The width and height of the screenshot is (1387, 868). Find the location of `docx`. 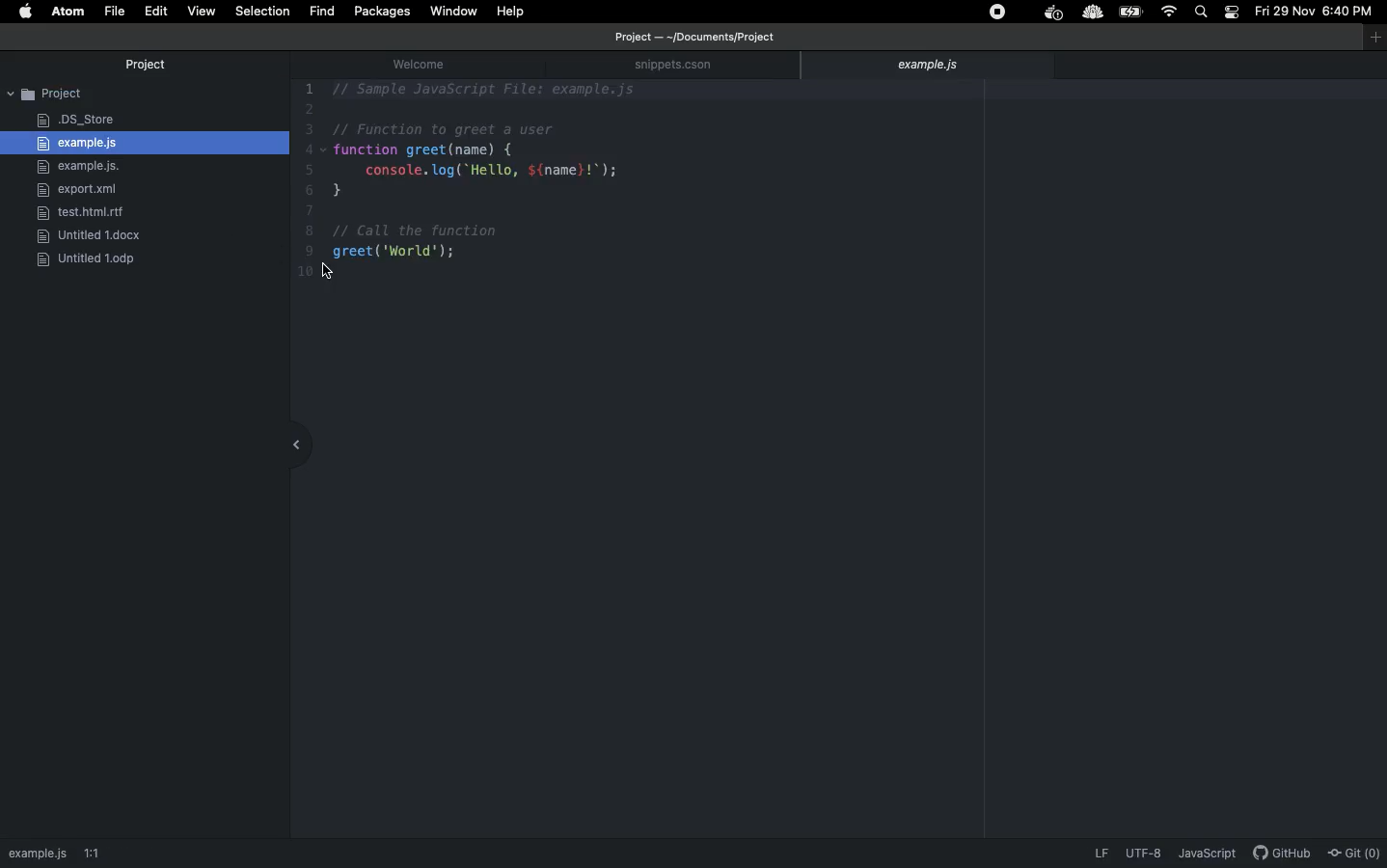

docx is located at coordinates (91, 234).